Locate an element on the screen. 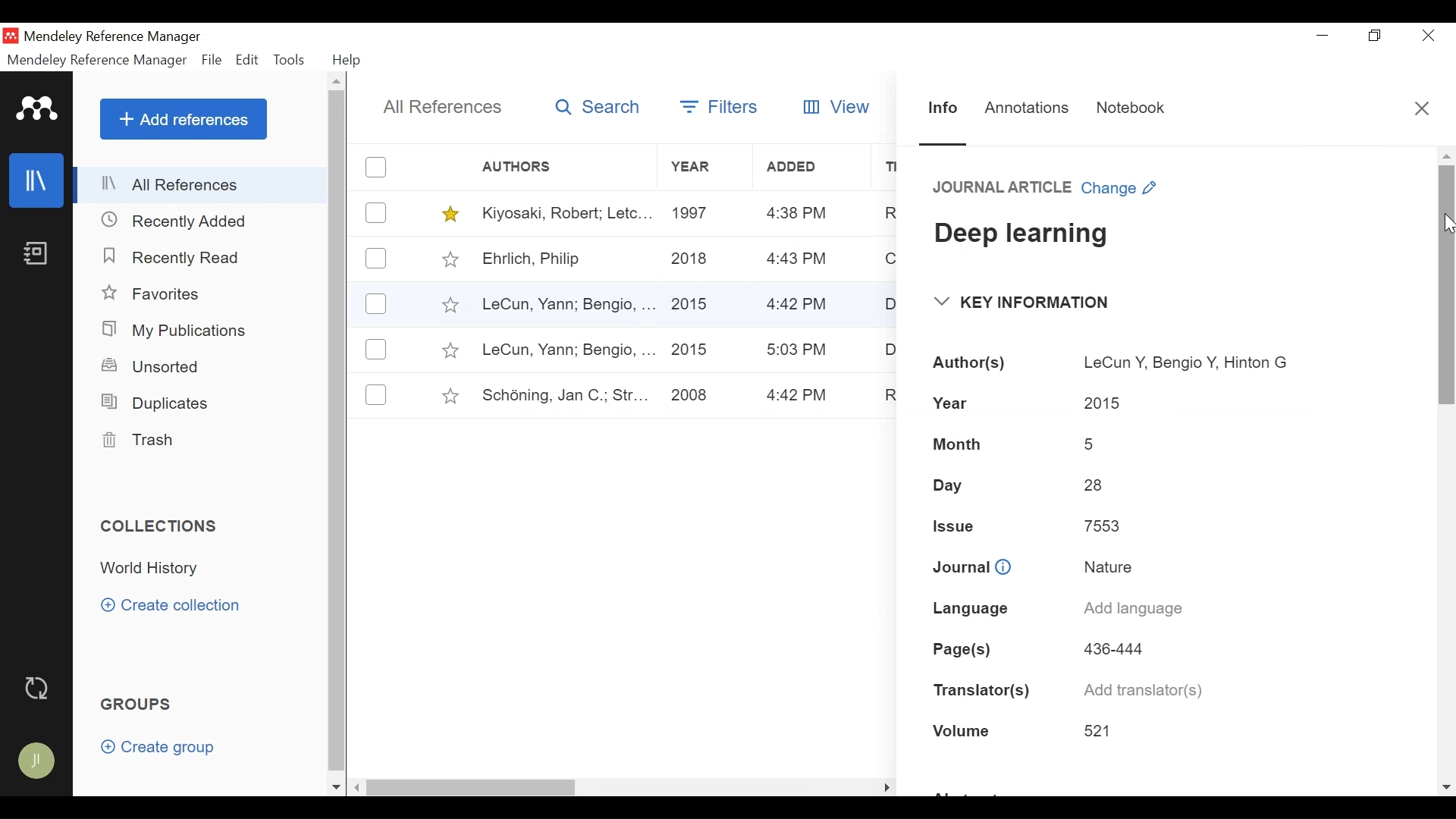 The image size is (1456, 819). Journal is located at coordinates (972, 566).